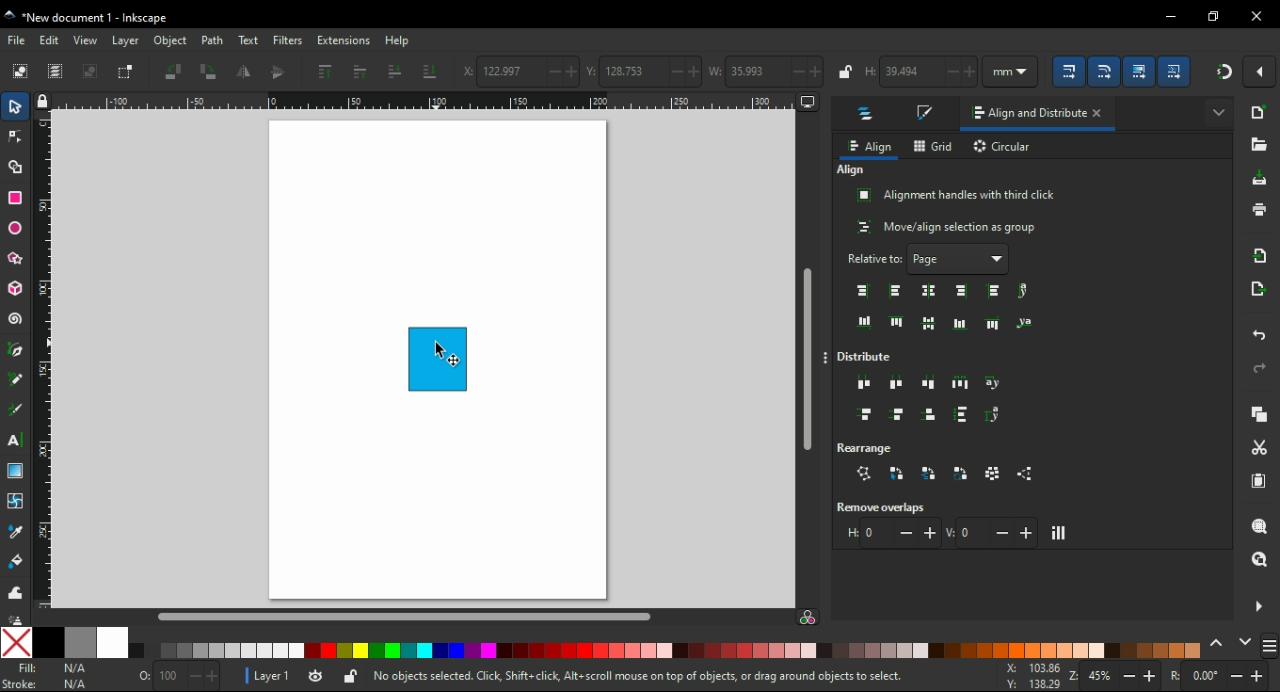 Image resolution: width=1280 pixels, height=692 pixels. I want to click on exchange positions of selected objects - rotate around center point, so click(962, 472).